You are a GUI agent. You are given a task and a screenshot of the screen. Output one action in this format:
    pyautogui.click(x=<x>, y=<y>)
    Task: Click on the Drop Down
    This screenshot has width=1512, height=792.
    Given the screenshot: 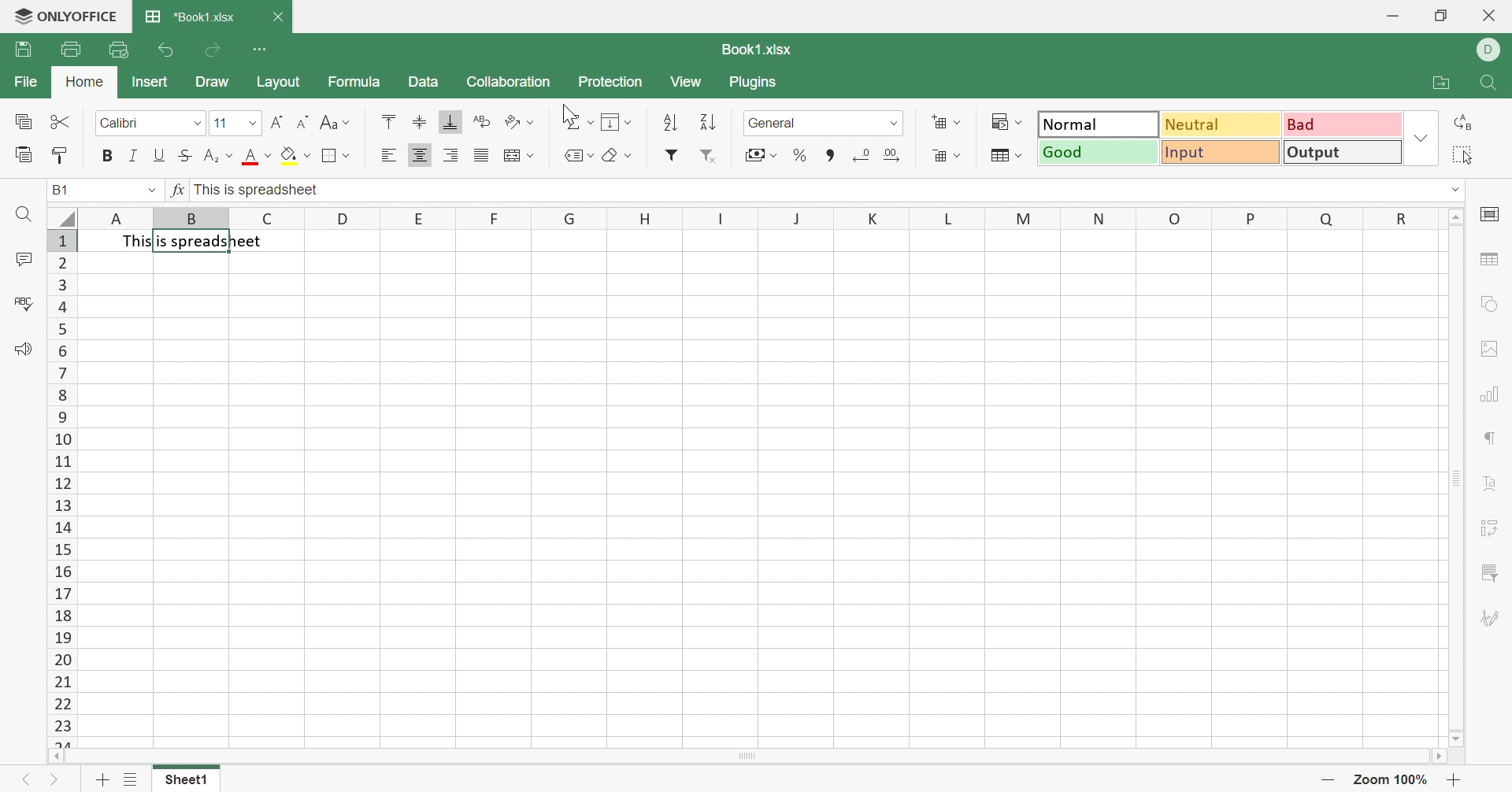 What is the action you would take?
    pyautogui.click(x=589, y=120)
    